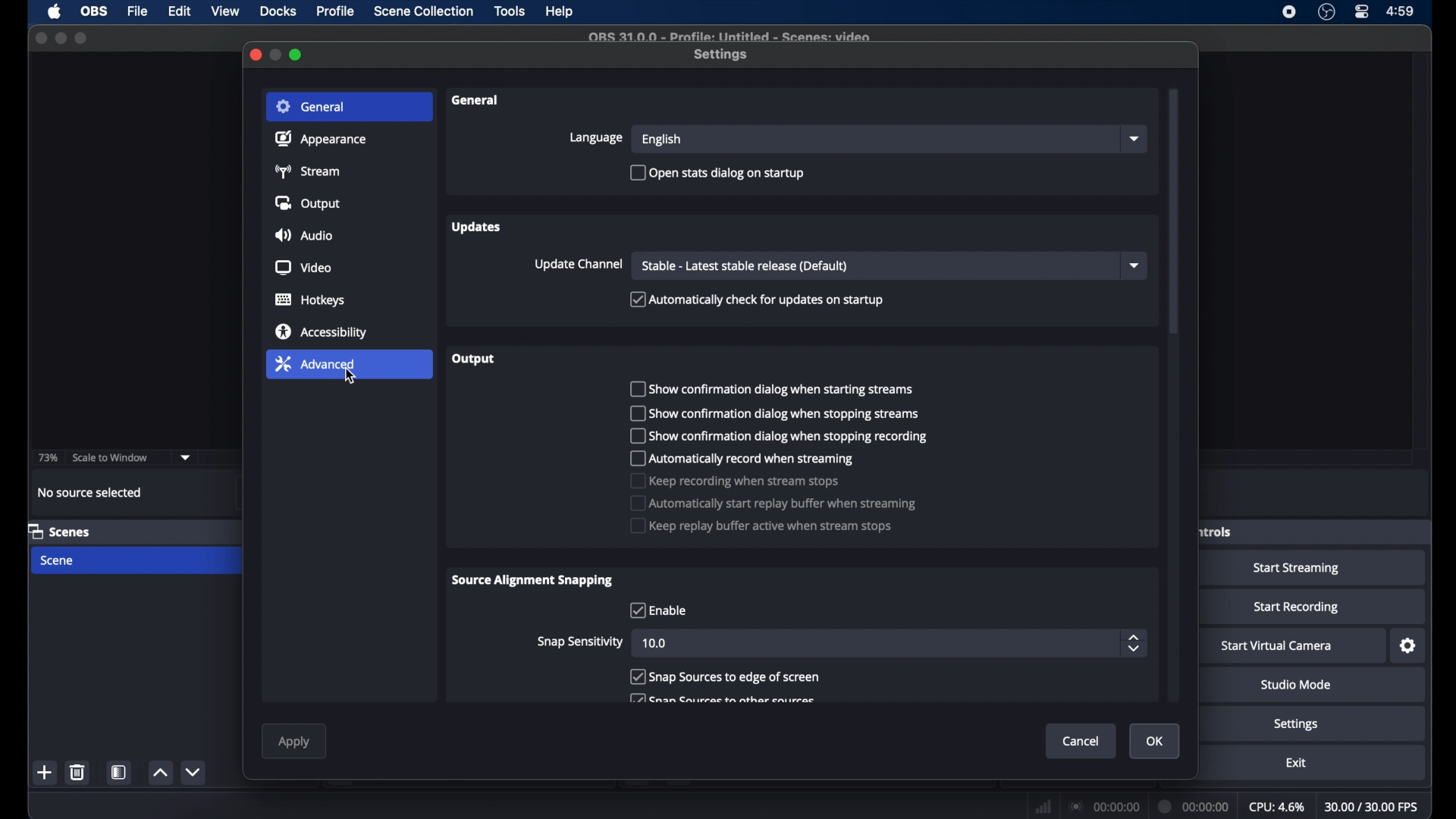 The height and width of the screenshot is (819, 1456). I want to click on general, so click(350, 105).